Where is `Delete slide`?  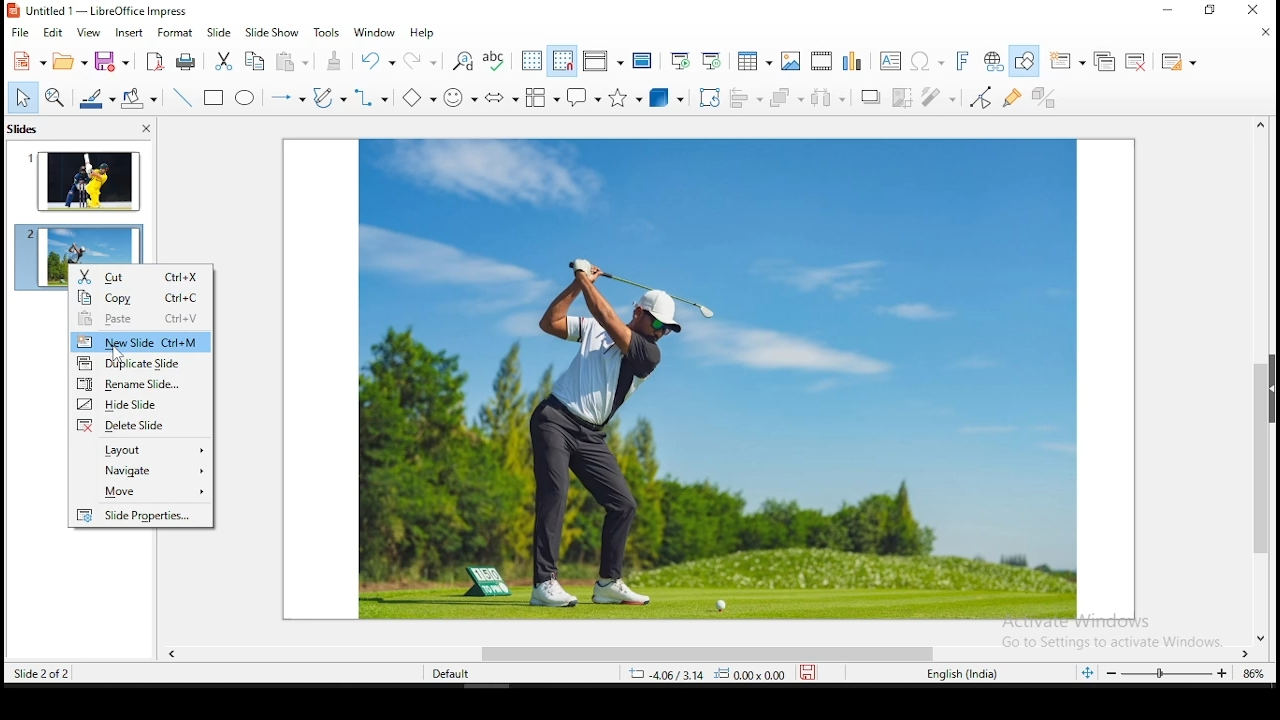 Delete slide is located at coordinates (143, 427).